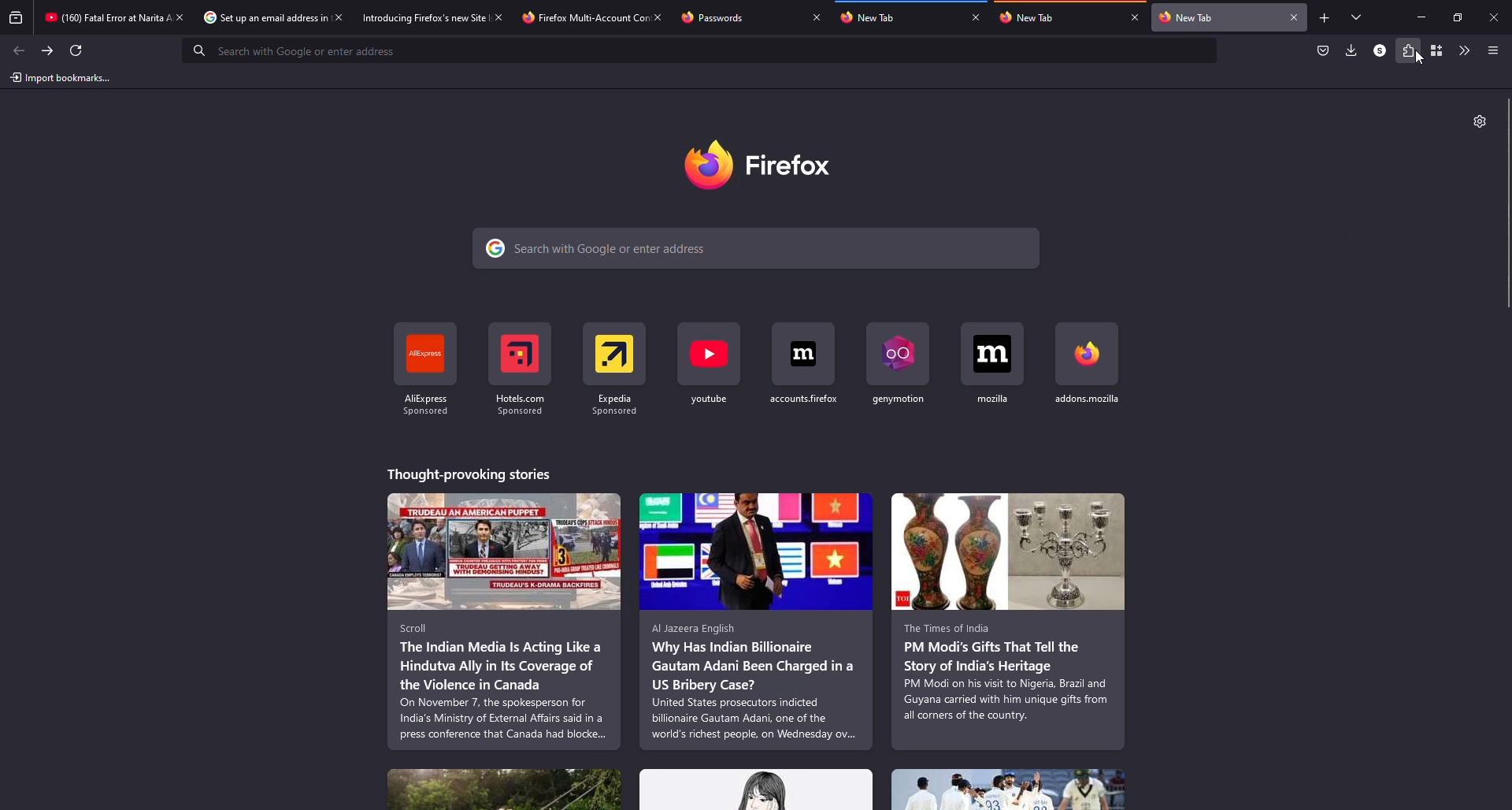 This screenshot has height=810, width=1512. Describe the element at coordinates (1192, 17) in the screenshot. I see `tab` at that location.